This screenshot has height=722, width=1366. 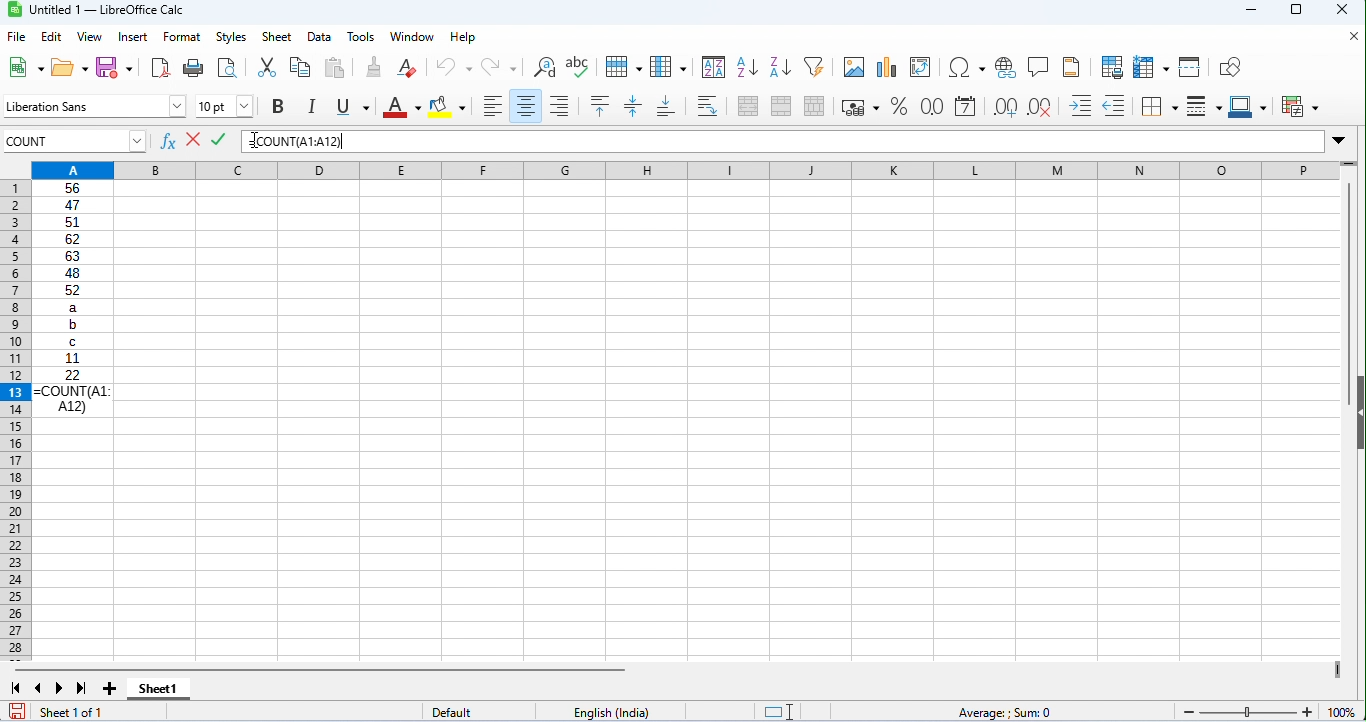 What do you see at coordinates (73, 401) in the screenshot?
I see `=COUNT(AL:AL2)` at bounding box center [73, 401].